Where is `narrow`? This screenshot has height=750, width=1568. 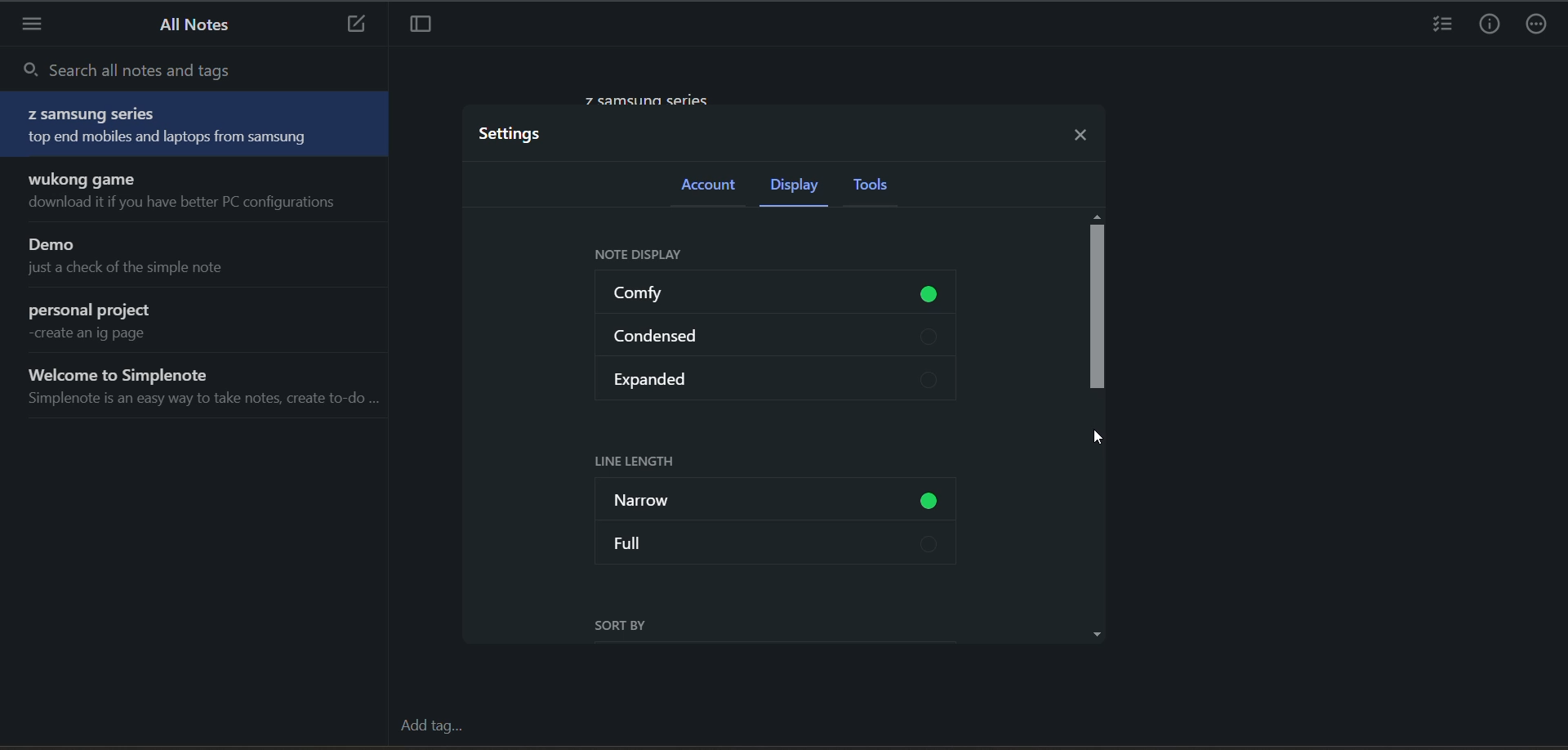
narrow is located at coordinates (779, 502).